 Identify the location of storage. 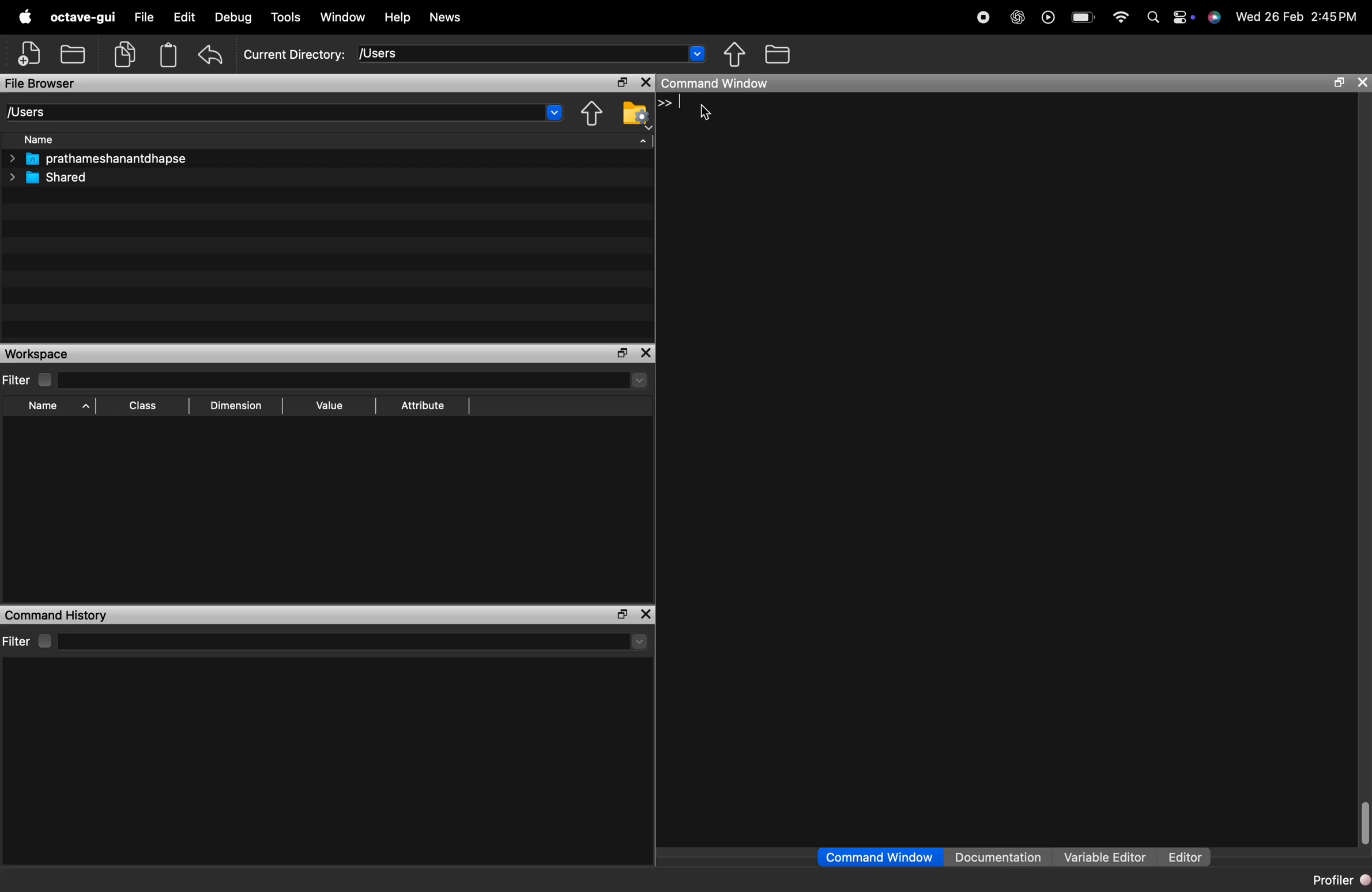
(170, 56).